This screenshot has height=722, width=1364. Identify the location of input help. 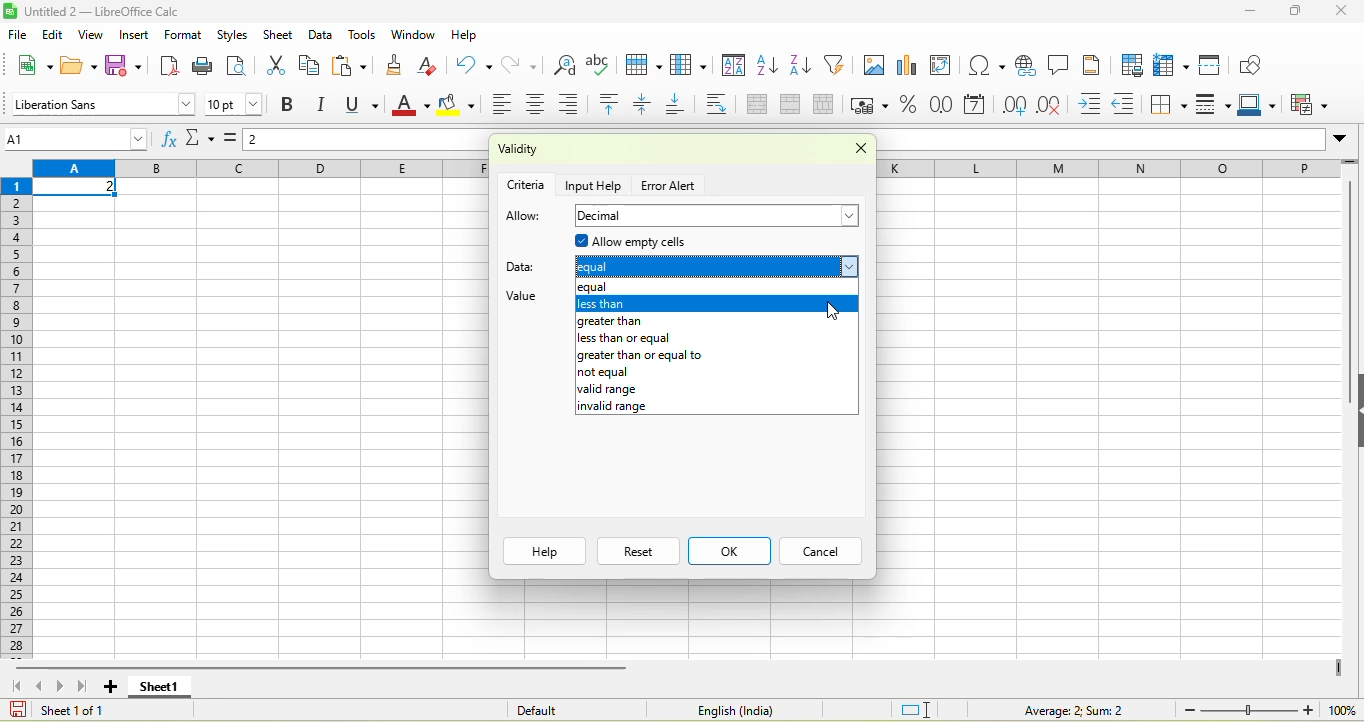
(596, 184).